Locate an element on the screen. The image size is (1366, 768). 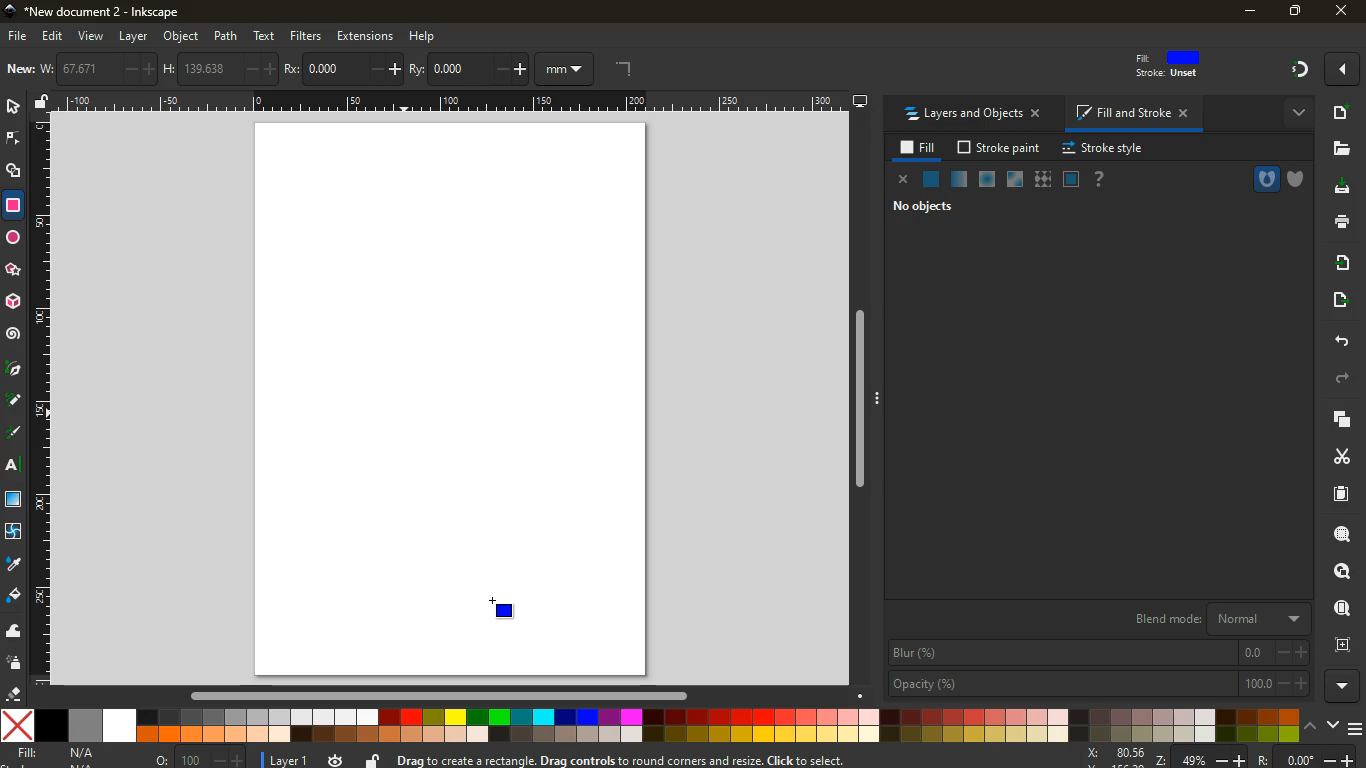
unlock is located at coordinates (374, 760).